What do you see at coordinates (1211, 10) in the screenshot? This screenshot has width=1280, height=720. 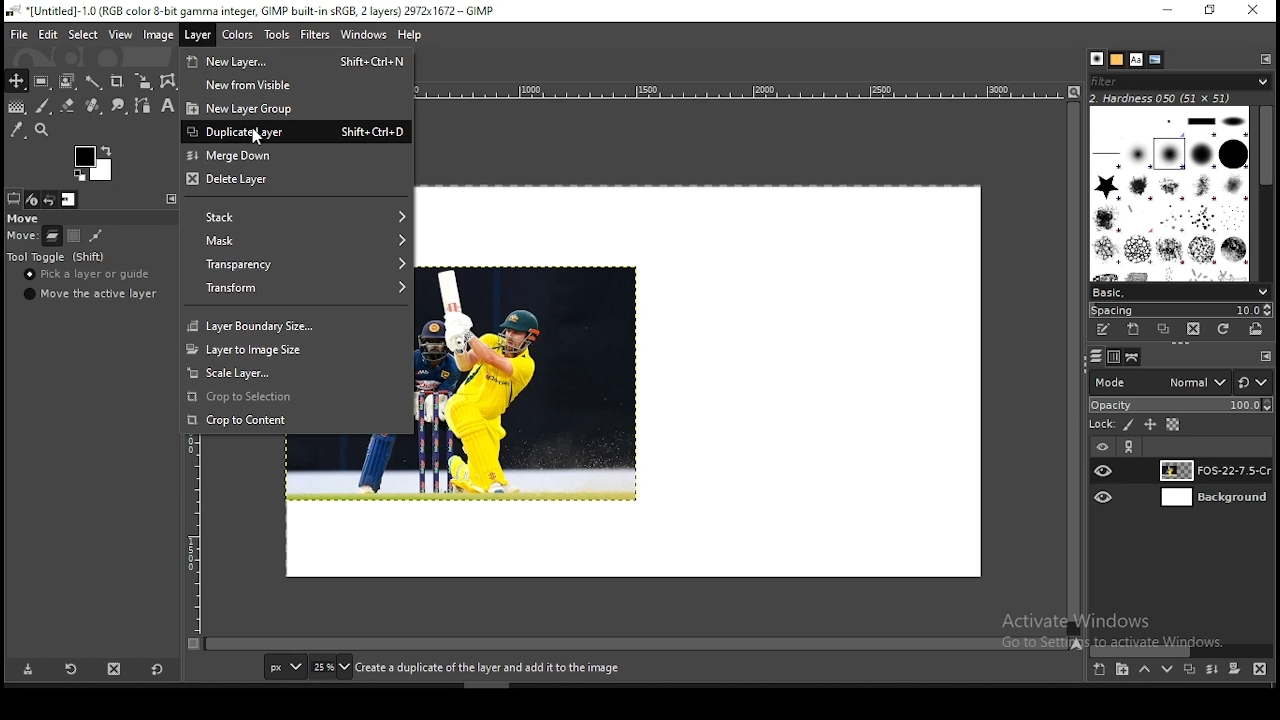 I see `Maximise ` at bounding box center [1211, 10].